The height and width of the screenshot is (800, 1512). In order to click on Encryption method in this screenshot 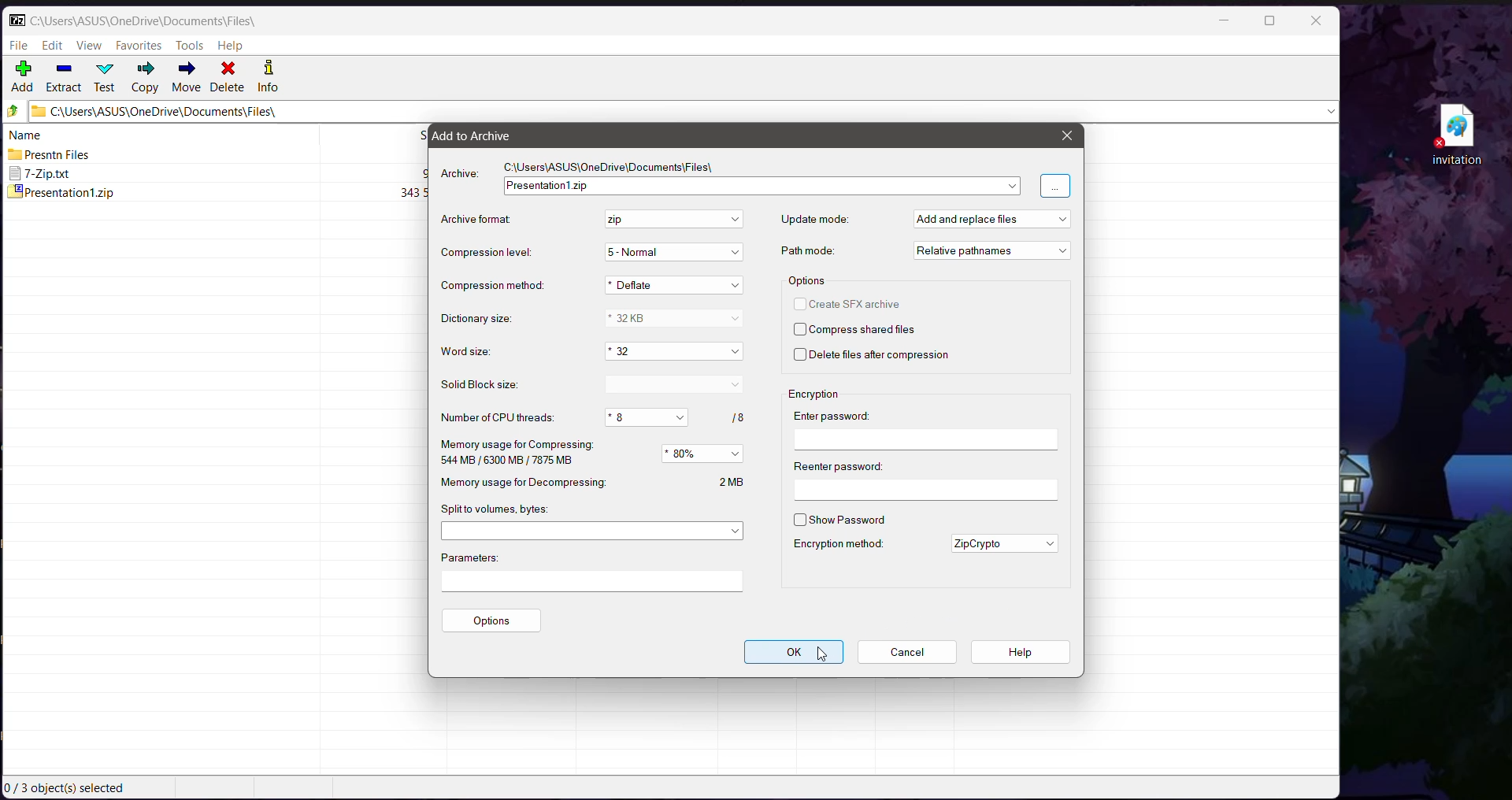, I will do `click(836, 544)`.